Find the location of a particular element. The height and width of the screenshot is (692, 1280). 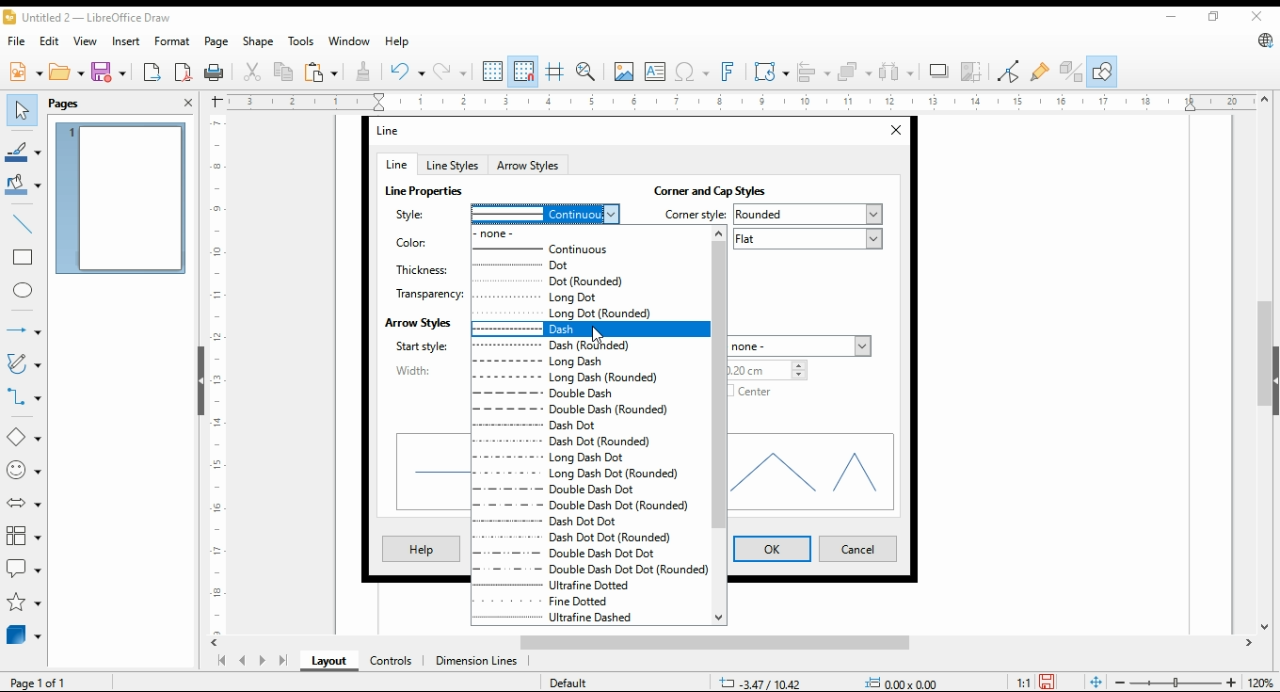

export is located at coordinates (153, 71).